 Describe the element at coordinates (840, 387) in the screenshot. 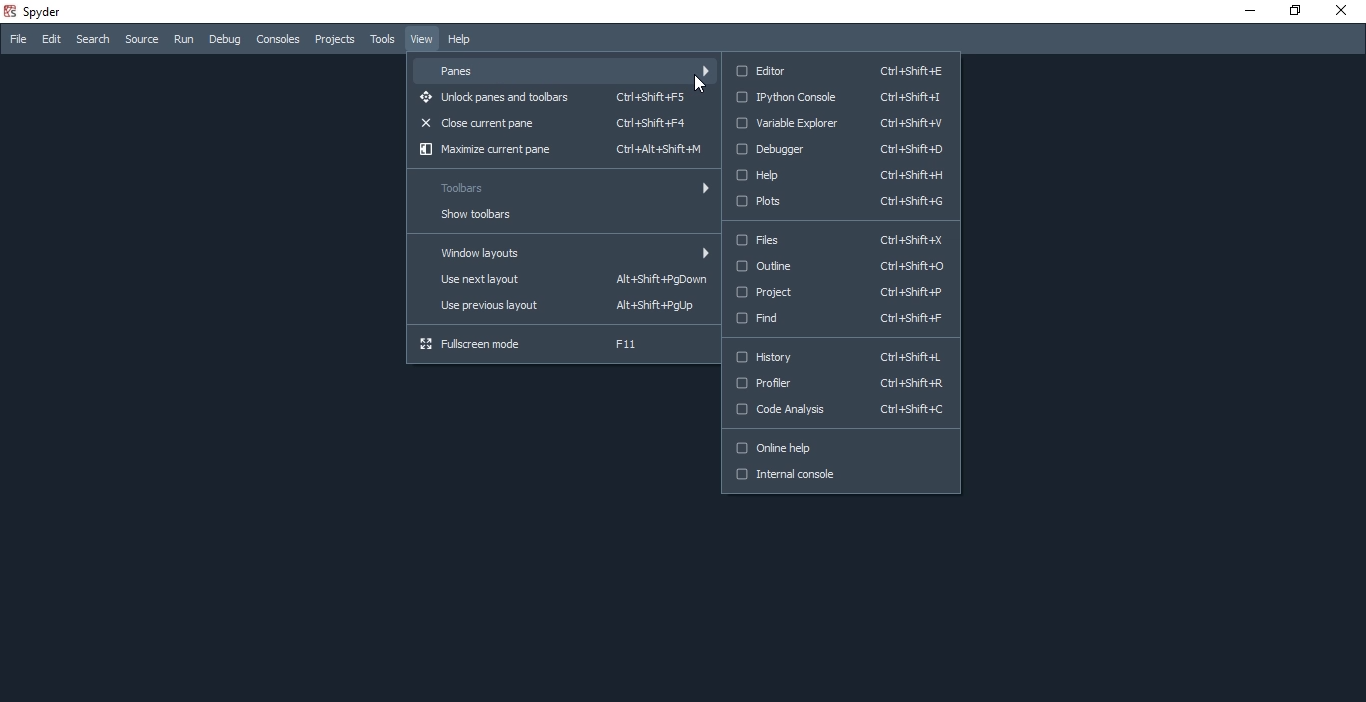

I see `Profiler` at that location.